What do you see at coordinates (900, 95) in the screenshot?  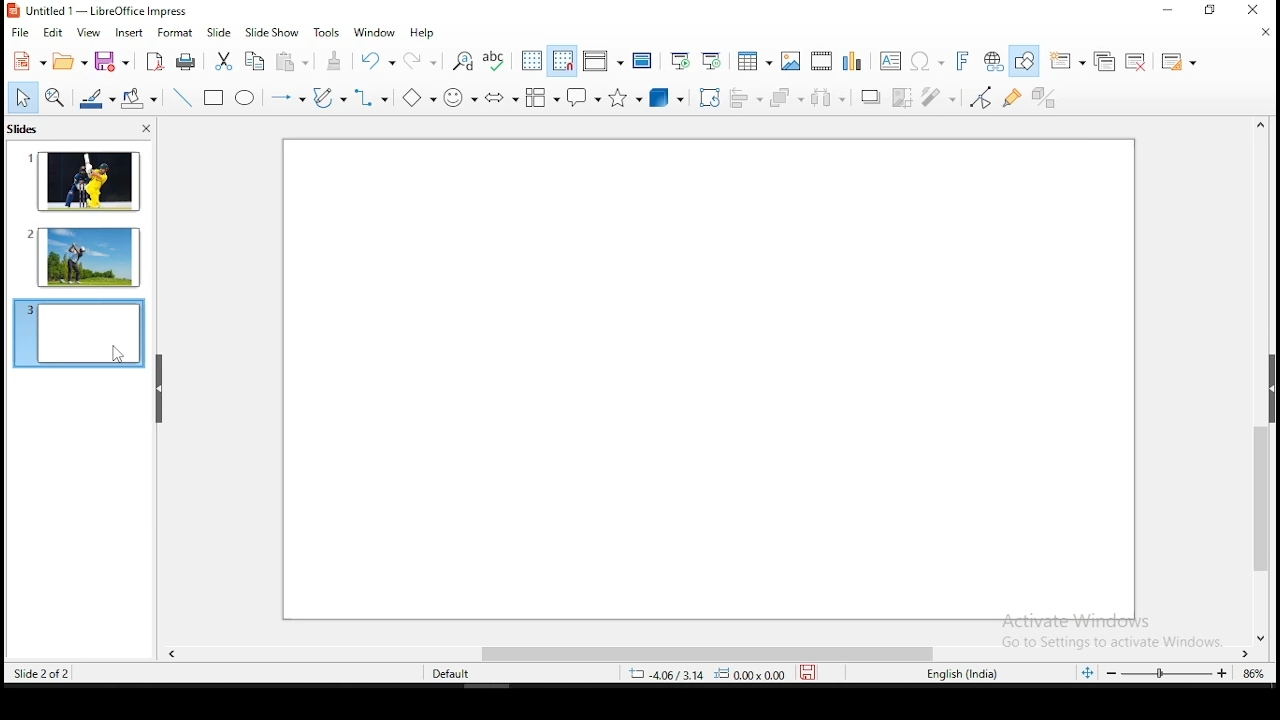 I see `crop image` at bounding box center [900, 95].